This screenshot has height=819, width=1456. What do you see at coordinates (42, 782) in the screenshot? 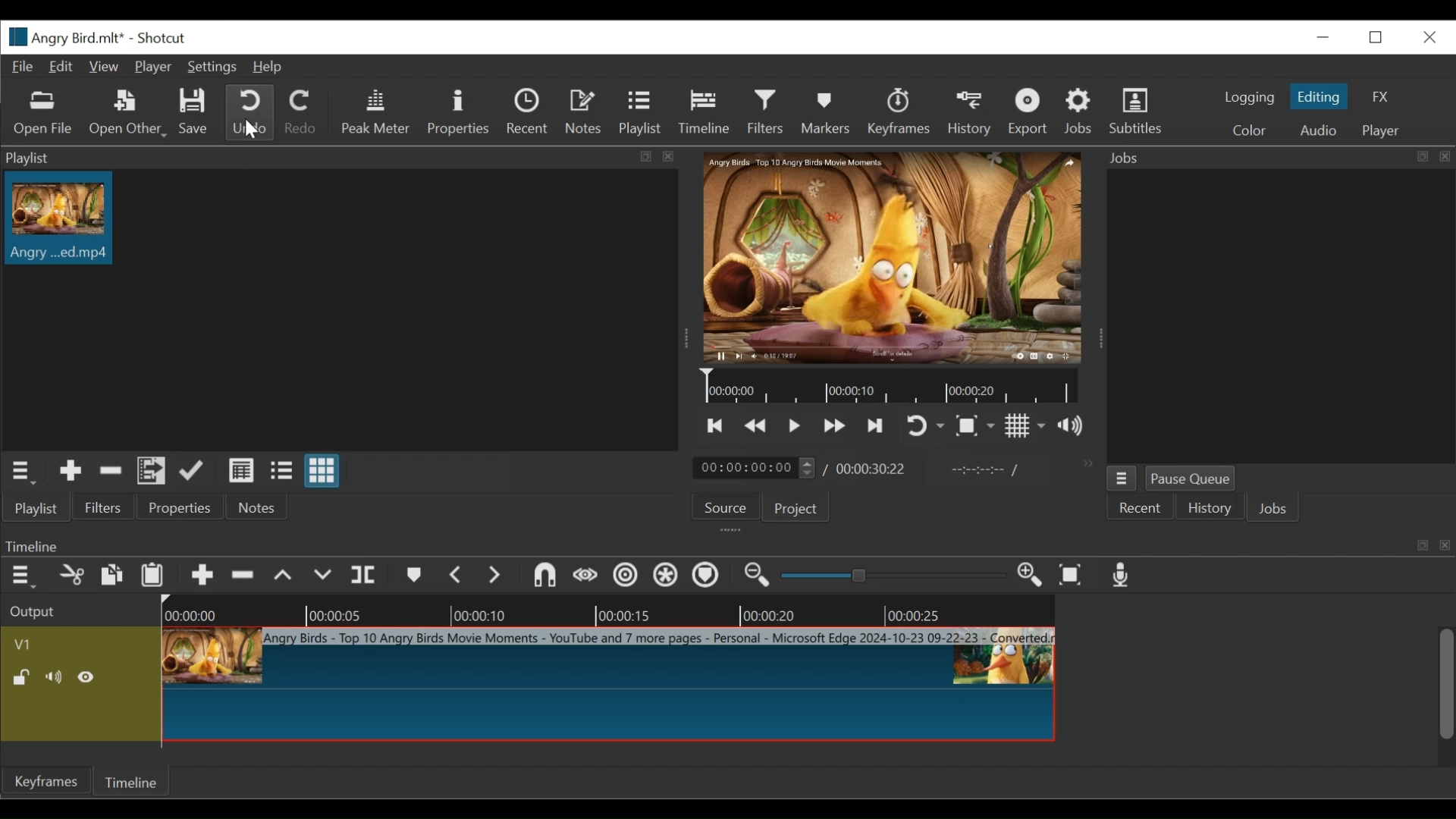
I see `Keyframe` at bounding box center [42, 782].